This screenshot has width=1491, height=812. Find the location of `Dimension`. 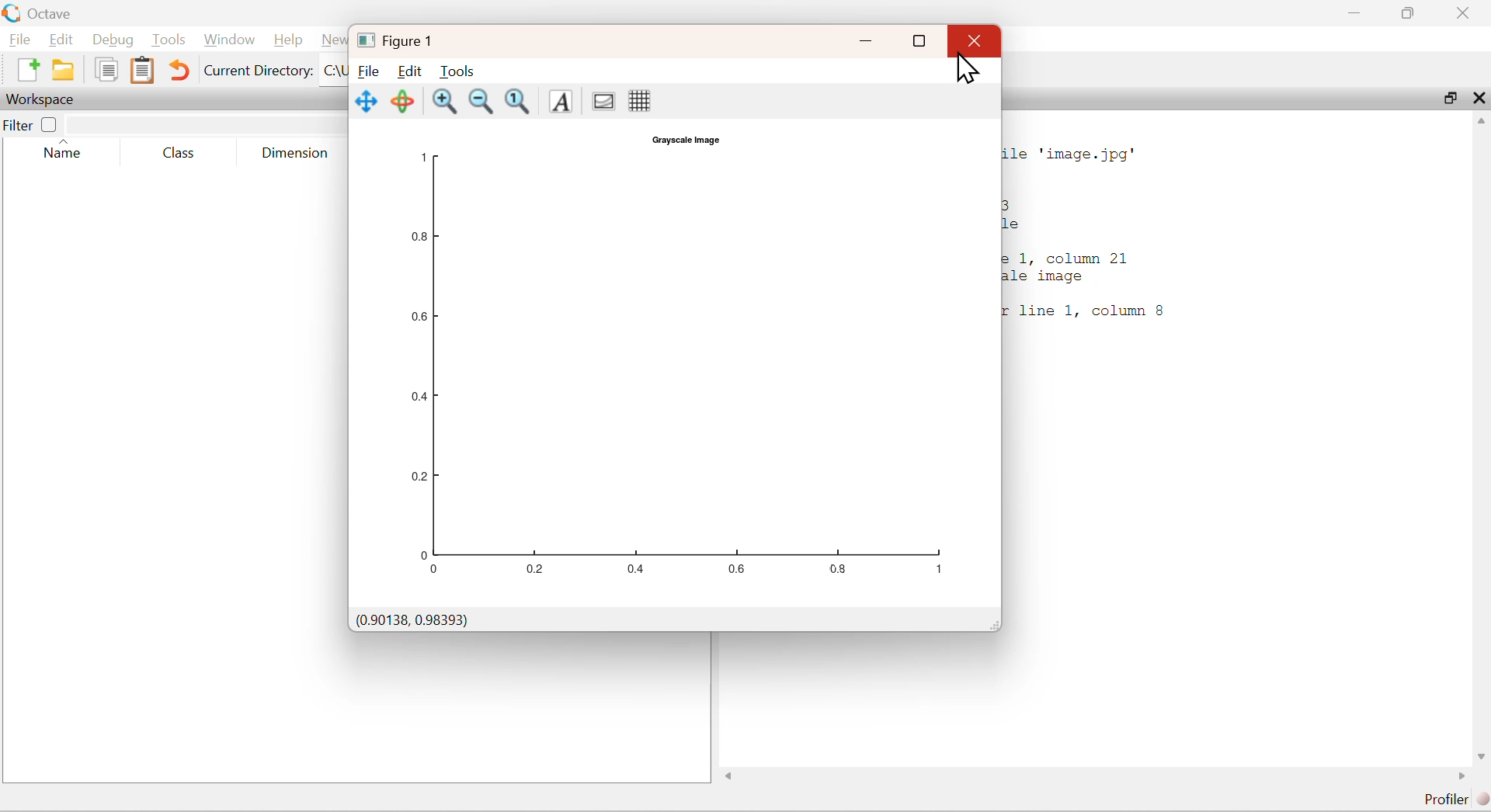

Dimension is located at coordinates (296, 151).